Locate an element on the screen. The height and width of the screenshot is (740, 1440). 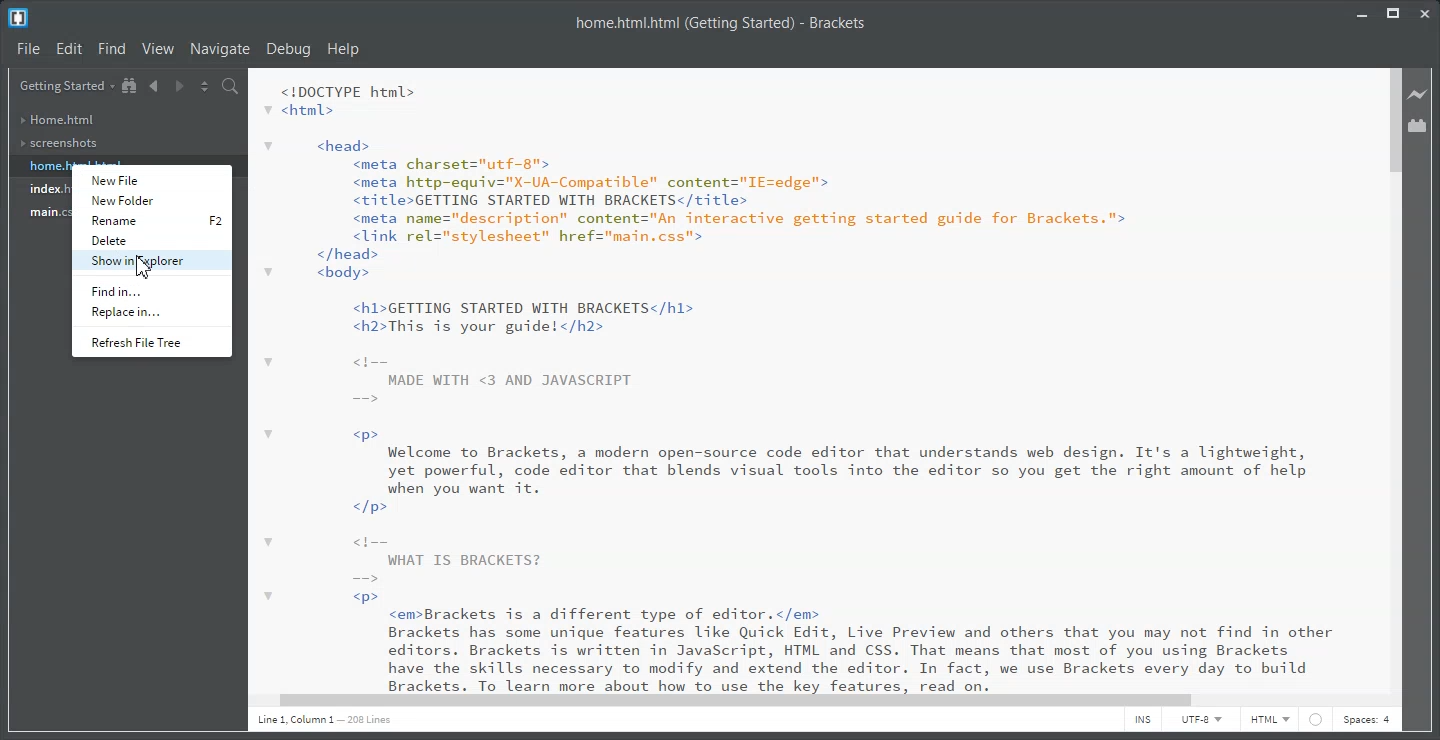
Find is located at coordinates (113, 48).